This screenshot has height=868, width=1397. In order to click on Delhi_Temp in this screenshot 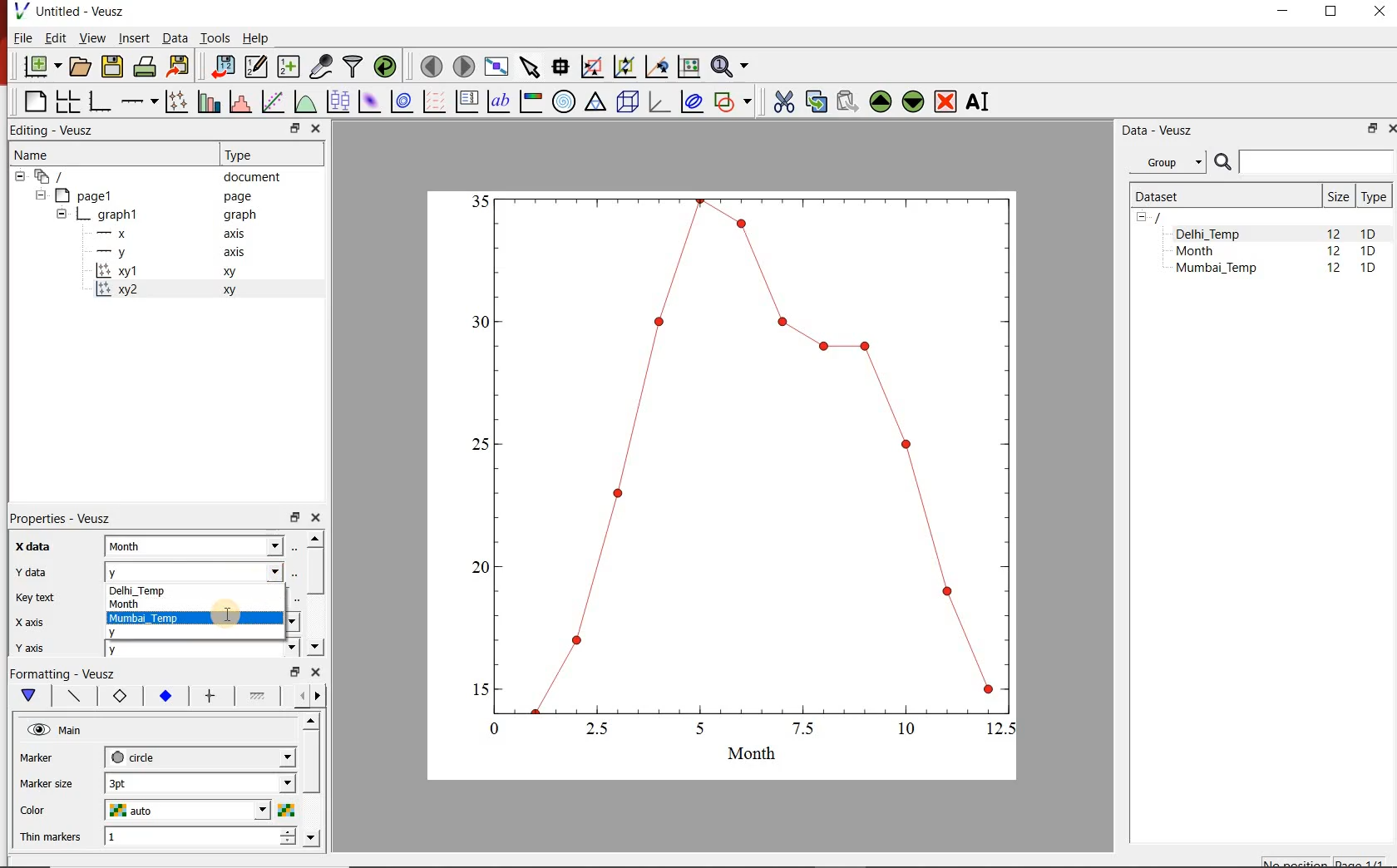, I will do `click(204, 590)`.